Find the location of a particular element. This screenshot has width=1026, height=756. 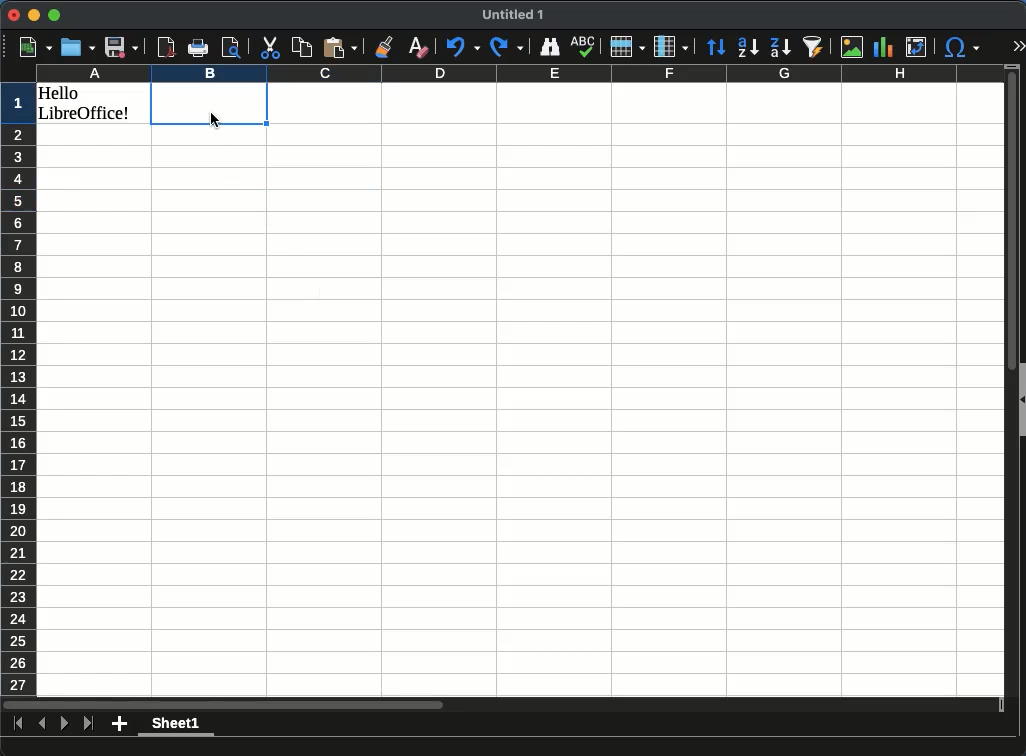

cursor is located at coordinates (216, 120).